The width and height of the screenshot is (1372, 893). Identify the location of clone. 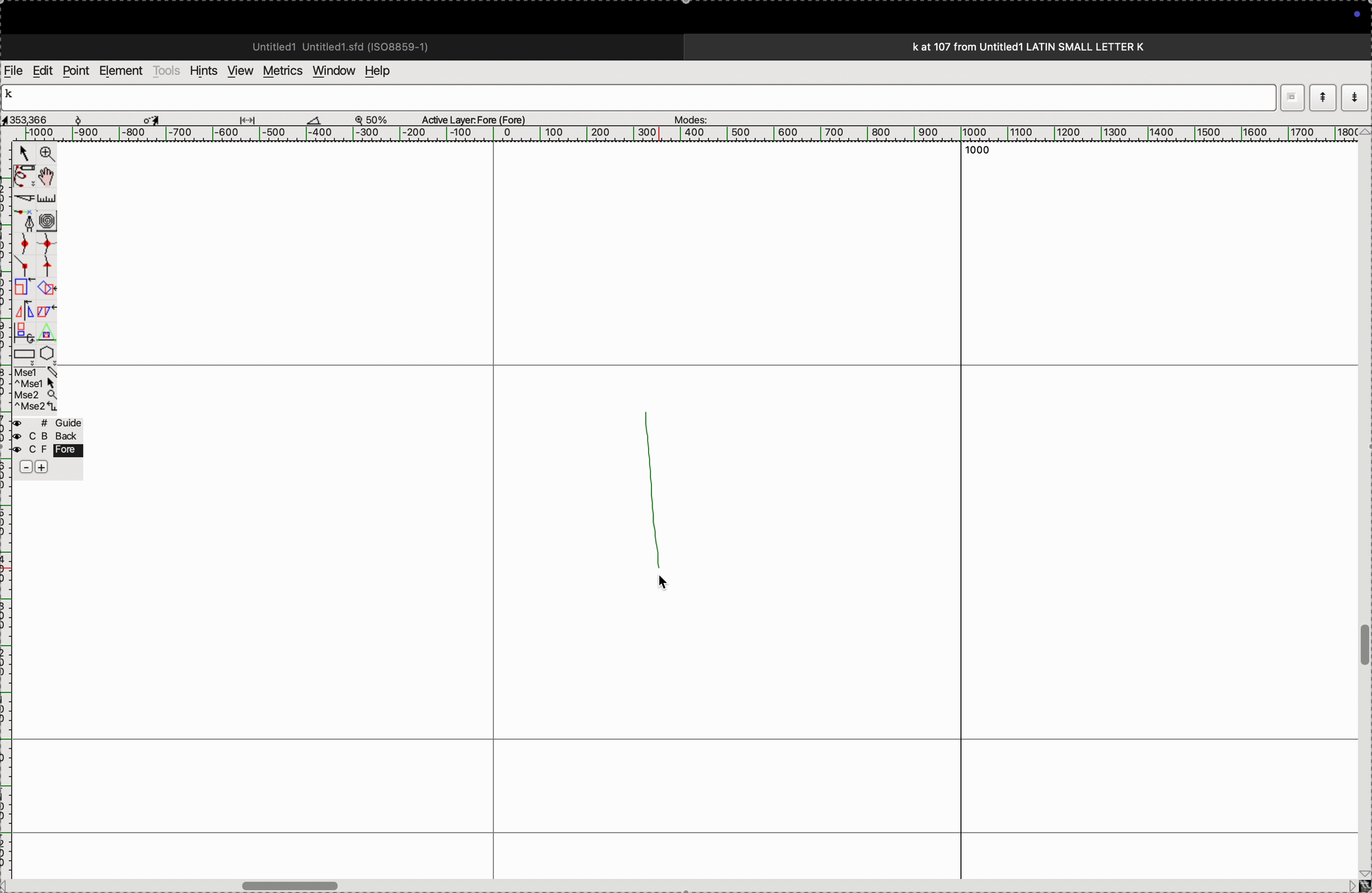
(22, 288).